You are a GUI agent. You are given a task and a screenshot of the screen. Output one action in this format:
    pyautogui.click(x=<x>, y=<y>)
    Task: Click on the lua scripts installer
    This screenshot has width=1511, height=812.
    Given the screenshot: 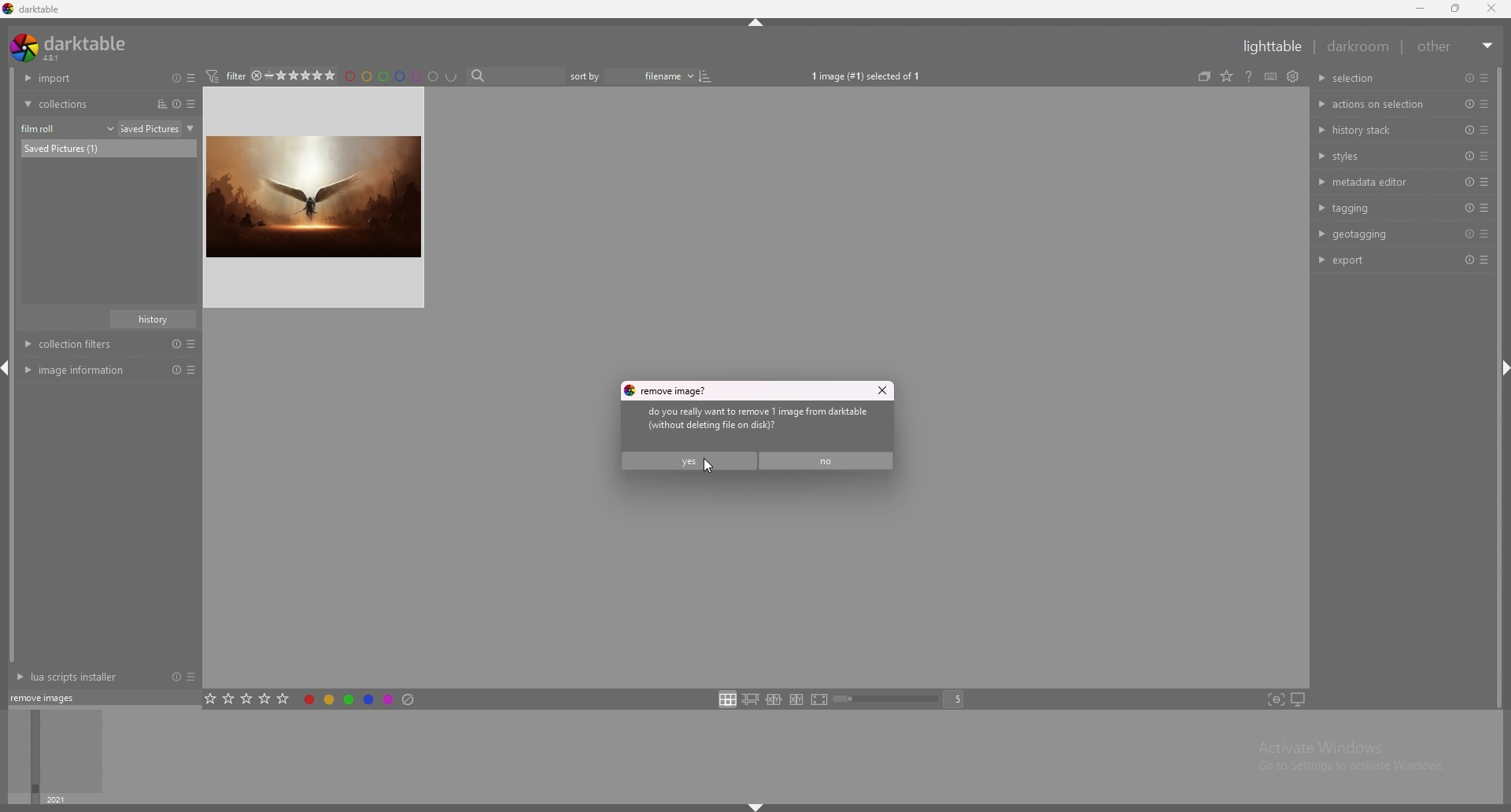 What is the action you would take?
    pyautogui.click(x=65, y=696)
    